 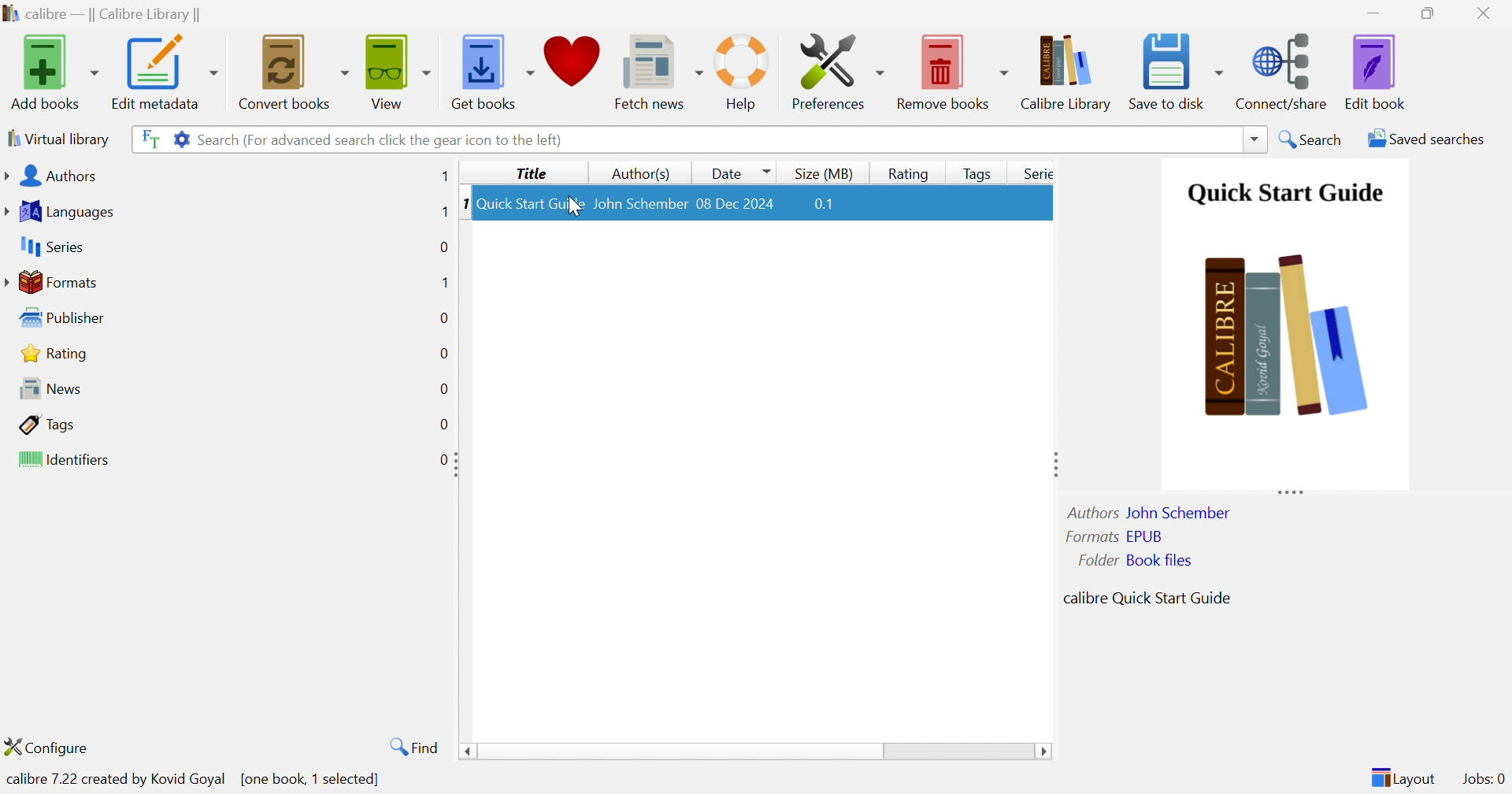 What do you see at coordinates (444, 212) in the screenshot?
I see `1` at bounding box center [444, 212].